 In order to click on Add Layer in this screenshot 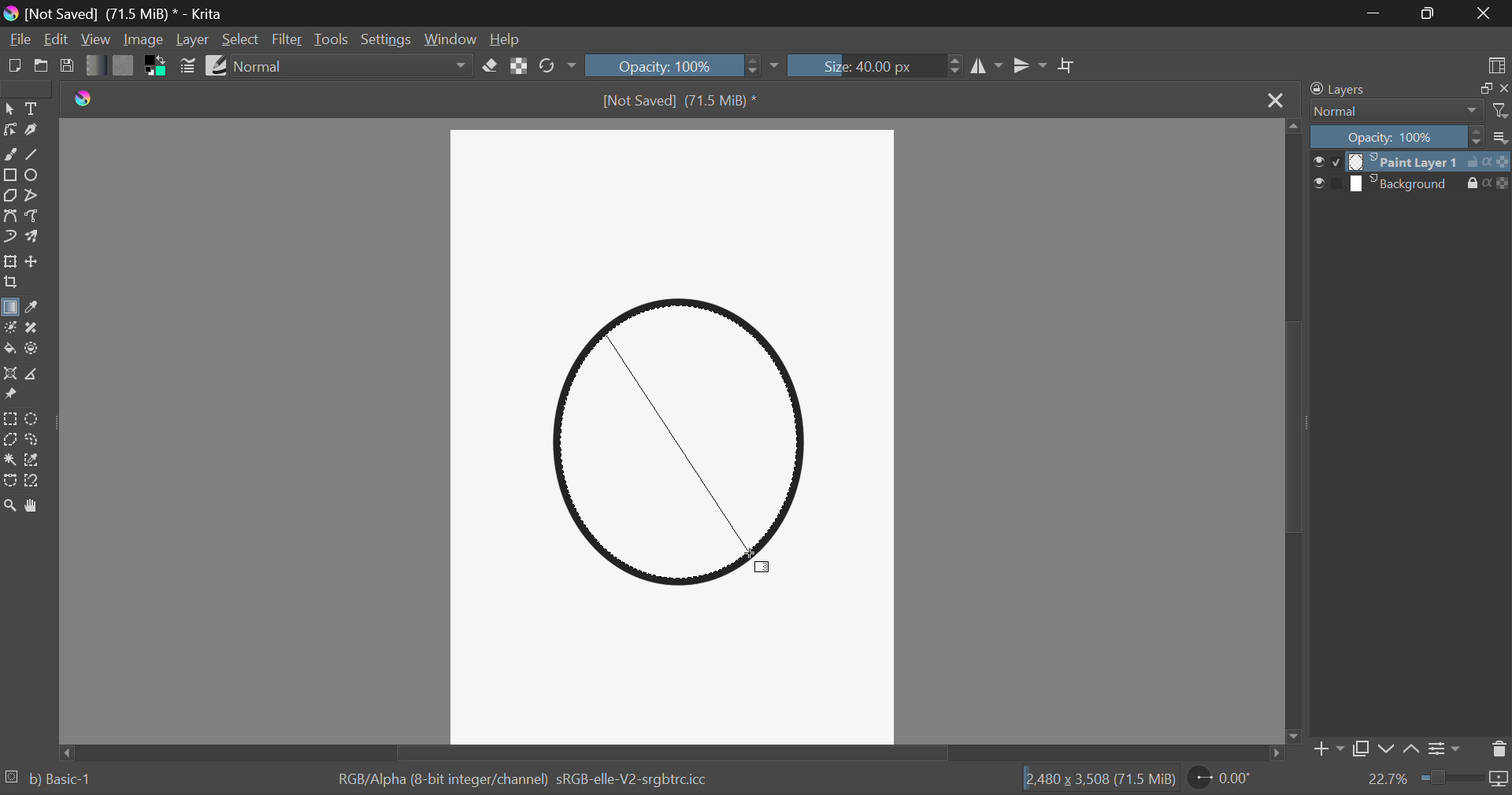, I will do `click(1328, 750)`.